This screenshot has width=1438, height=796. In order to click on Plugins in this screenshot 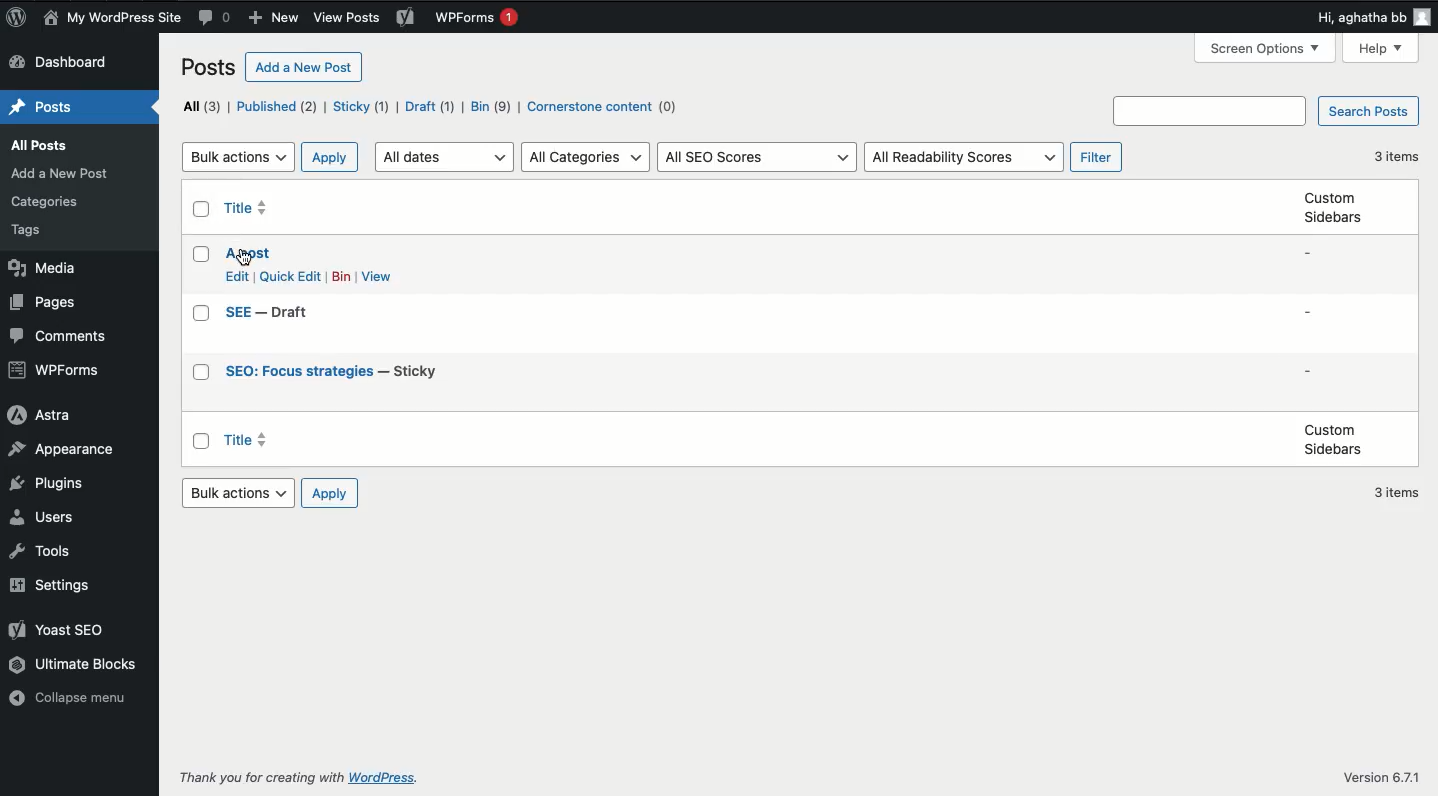, I will do `click(50, 481)`.